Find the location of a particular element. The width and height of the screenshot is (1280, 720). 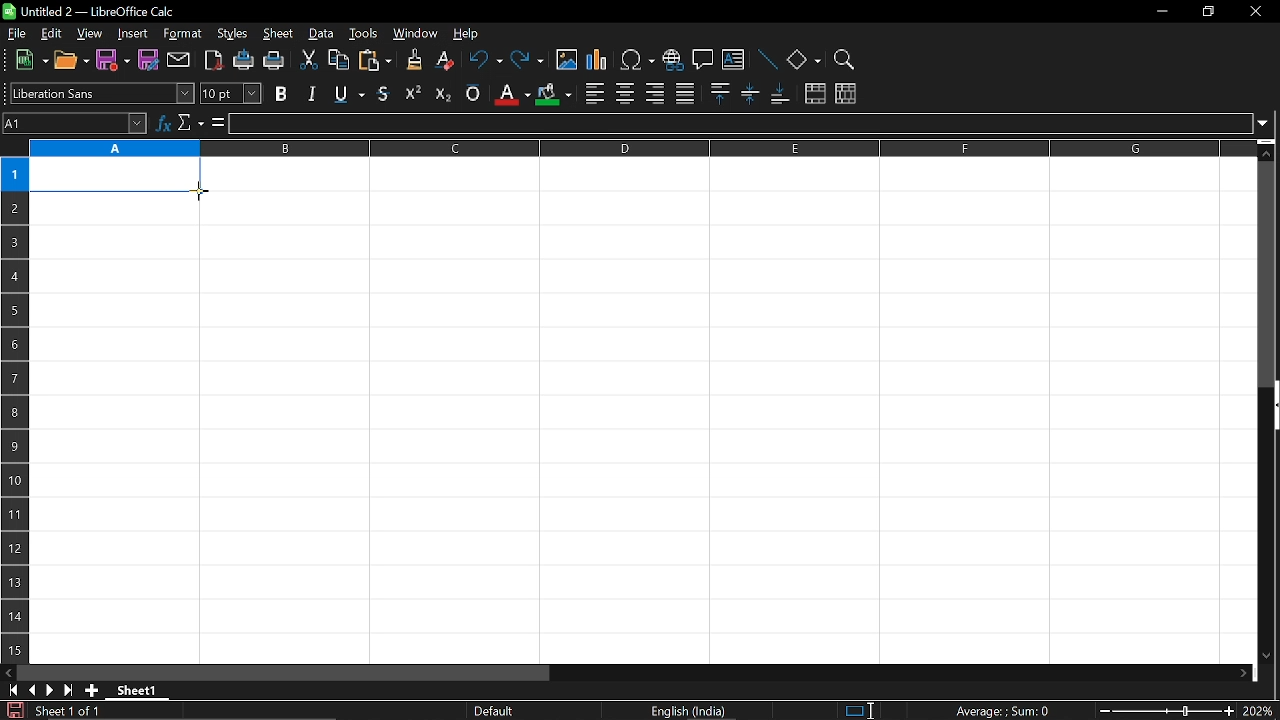

insert image is located at coordinates (566, 61).